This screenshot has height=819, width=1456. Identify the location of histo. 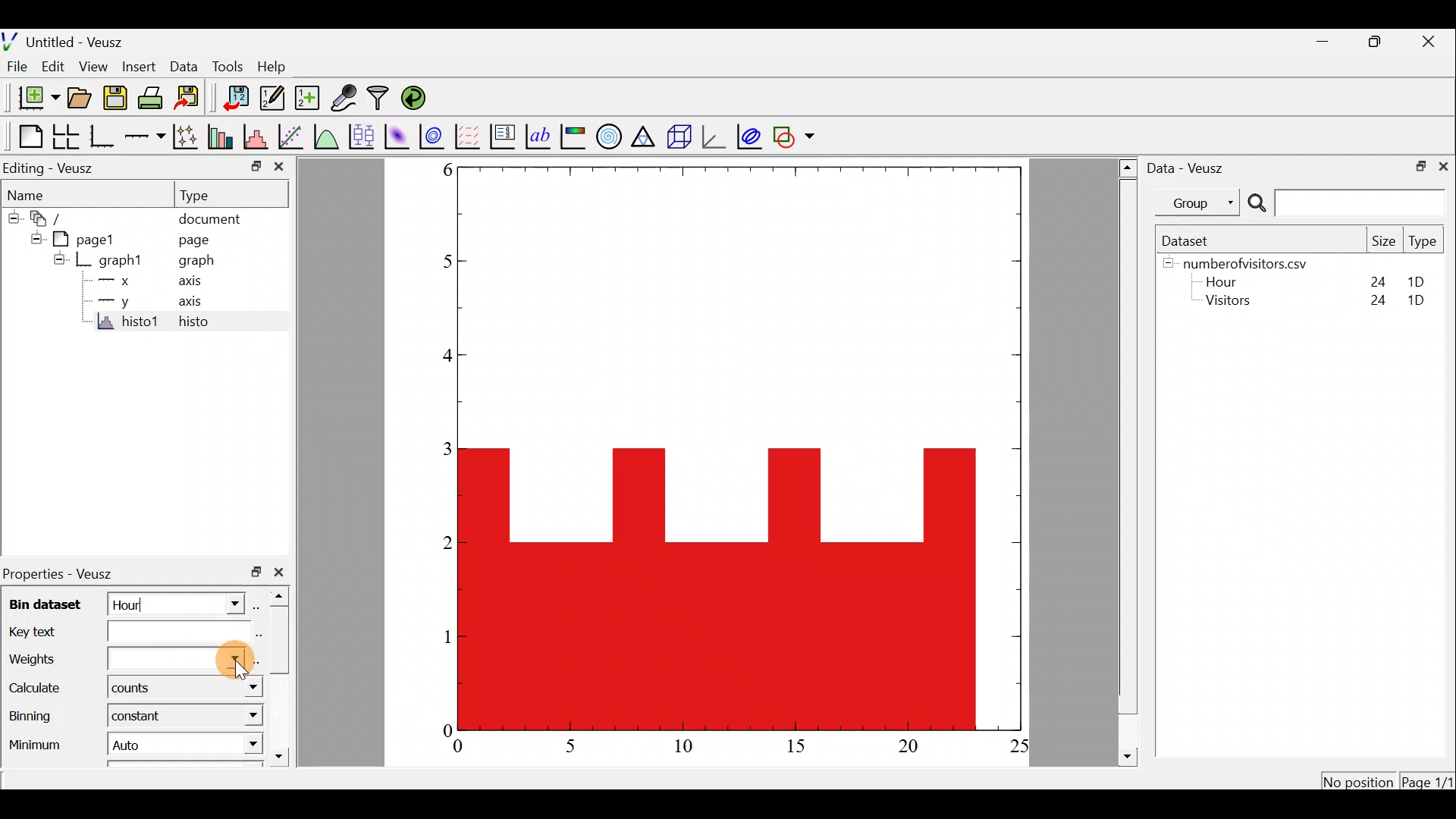
(196, 324).